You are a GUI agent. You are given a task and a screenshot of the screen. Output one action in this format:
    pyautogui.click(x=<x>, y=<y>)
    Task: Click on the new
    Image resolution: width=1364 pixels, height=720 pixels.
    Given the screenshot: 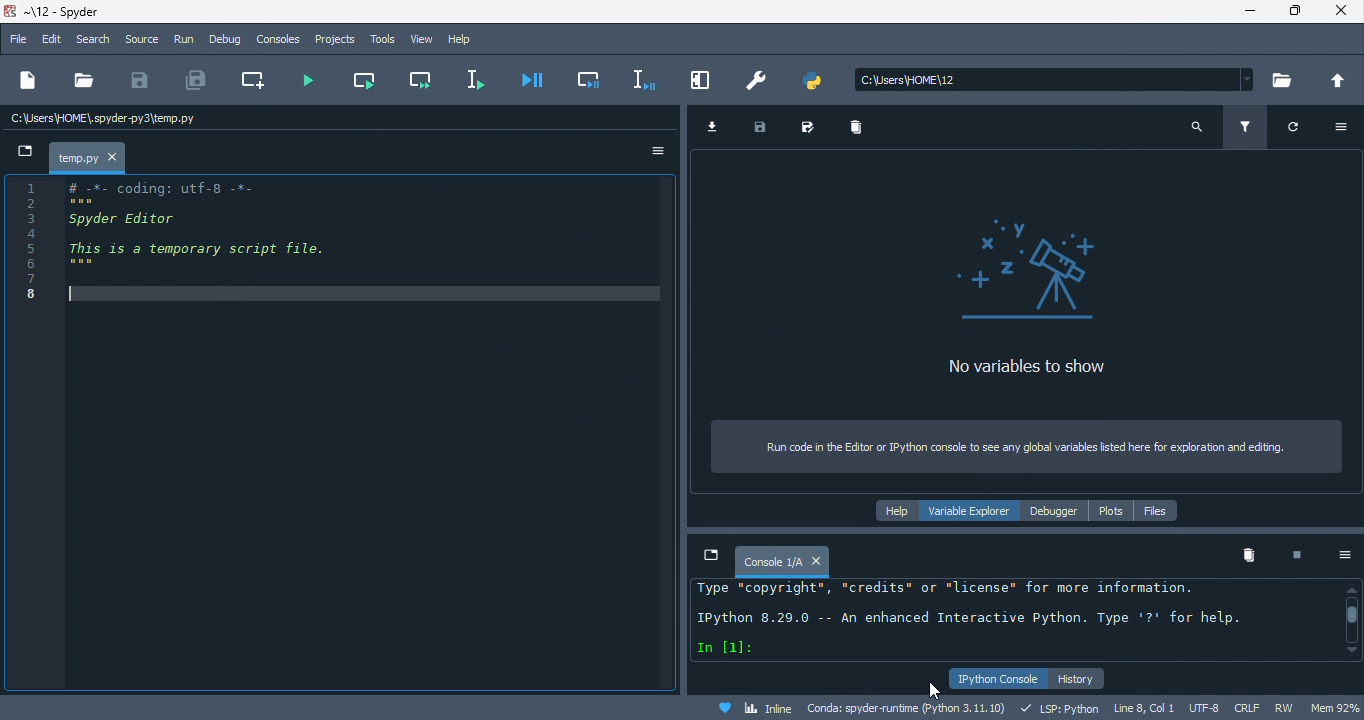 What is the action you would take?
    pyautogui.click(x=26, y=82)
    